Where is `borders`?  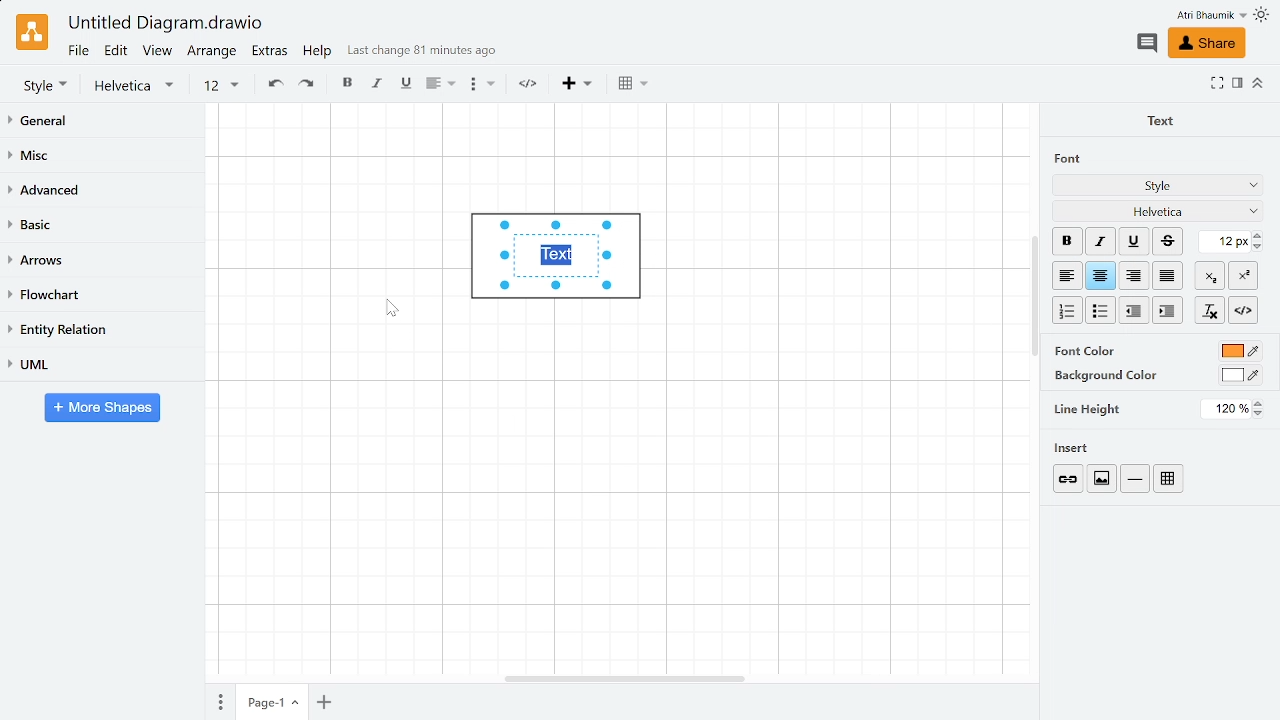 borders is located at coordinates (633, 84).